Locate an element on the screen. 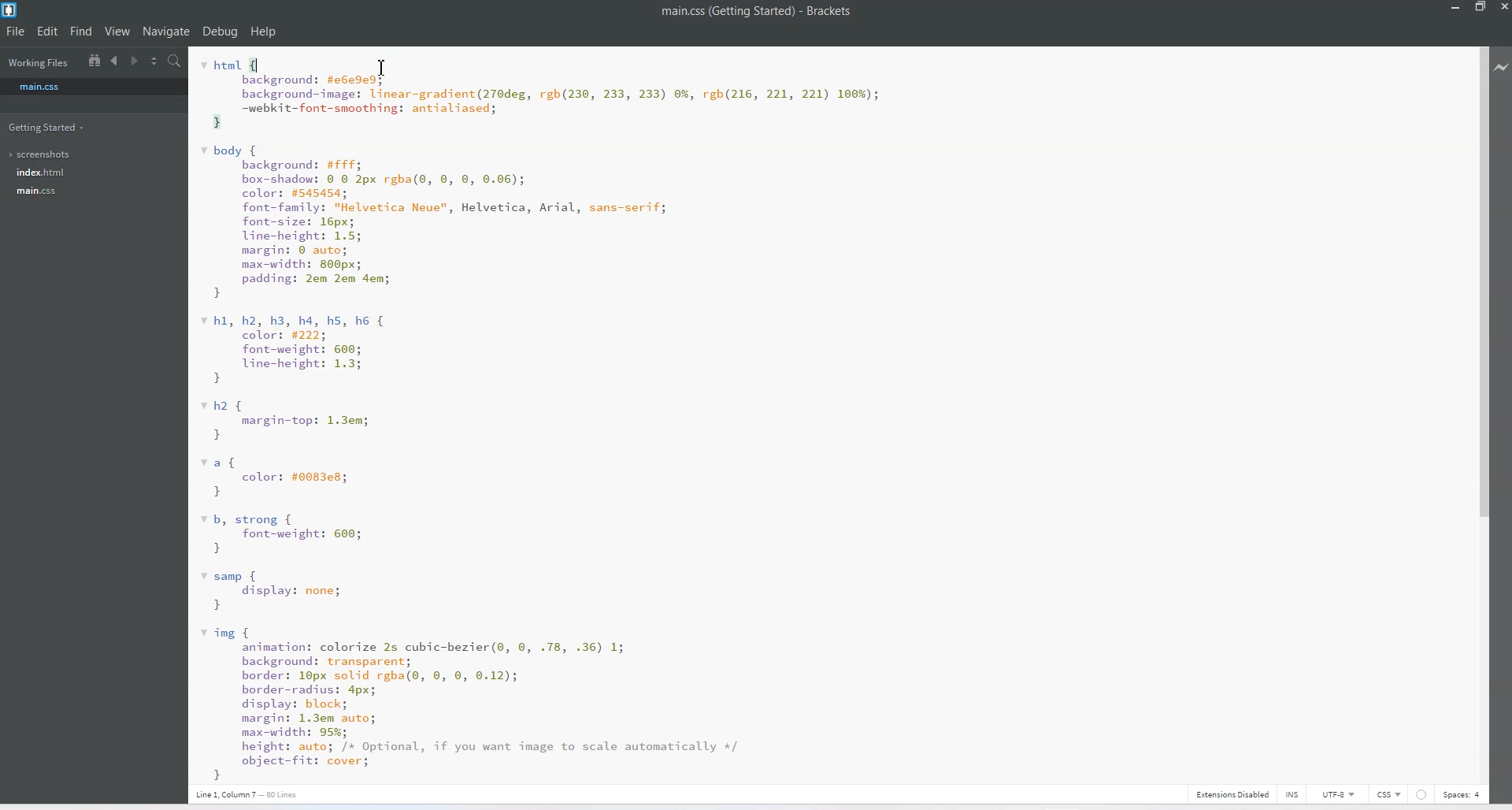  index.html is located at coordinates (40, 173).